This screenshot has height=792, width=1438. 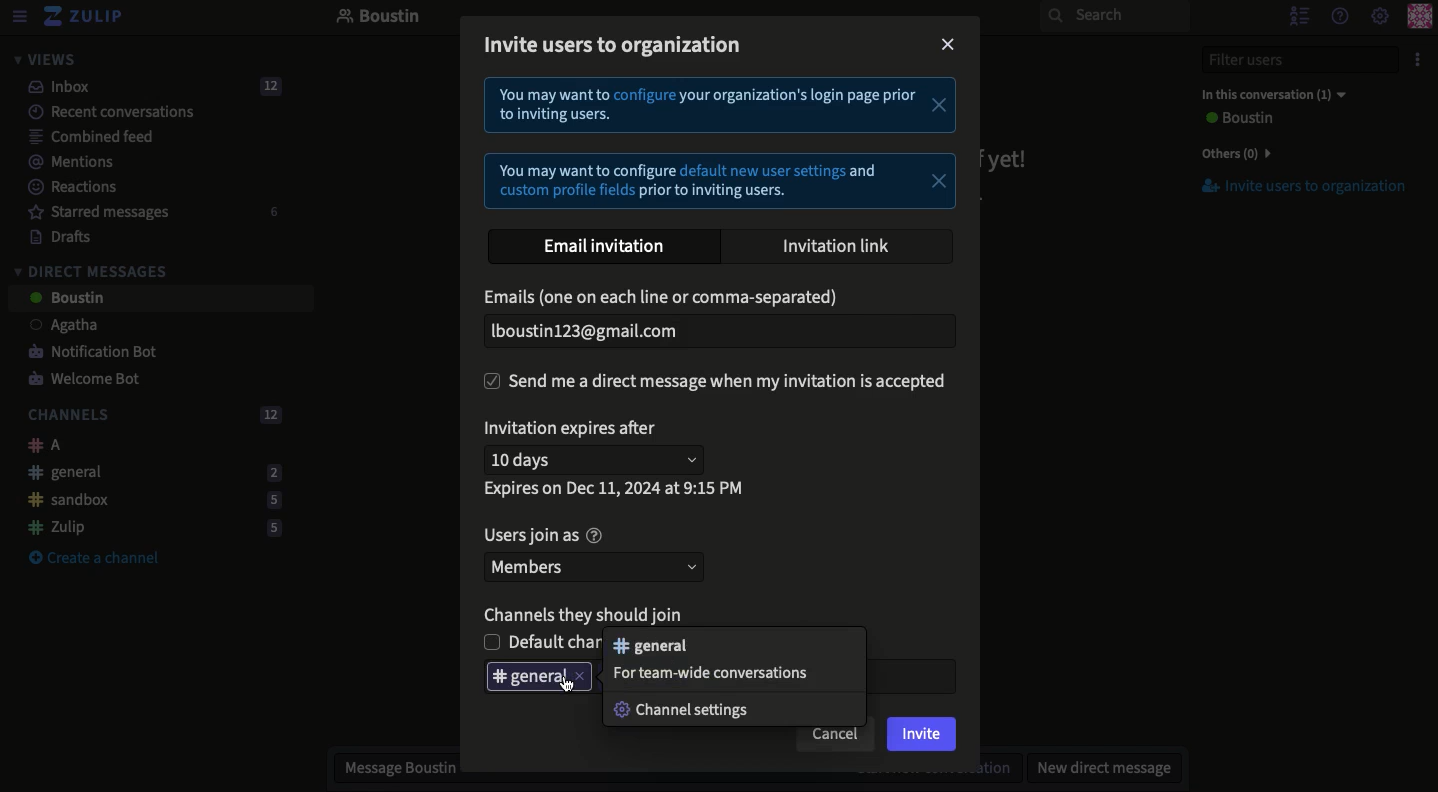 I want to click on Email , so click(x=666, y=299).